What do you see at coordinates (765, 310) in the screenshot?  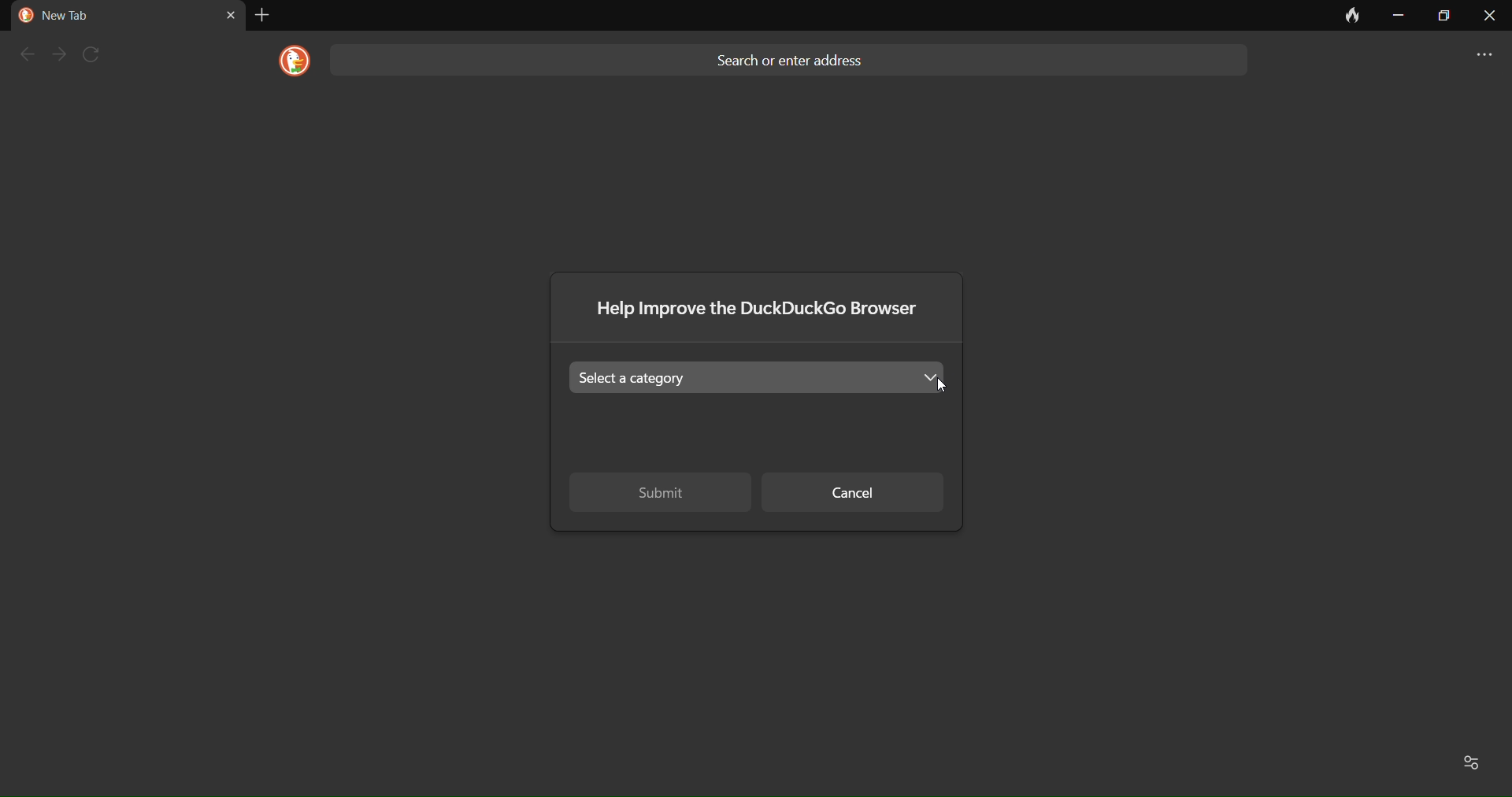 I see `Help improve the DuckDuckGo browser` at bounding box center [765, 310].